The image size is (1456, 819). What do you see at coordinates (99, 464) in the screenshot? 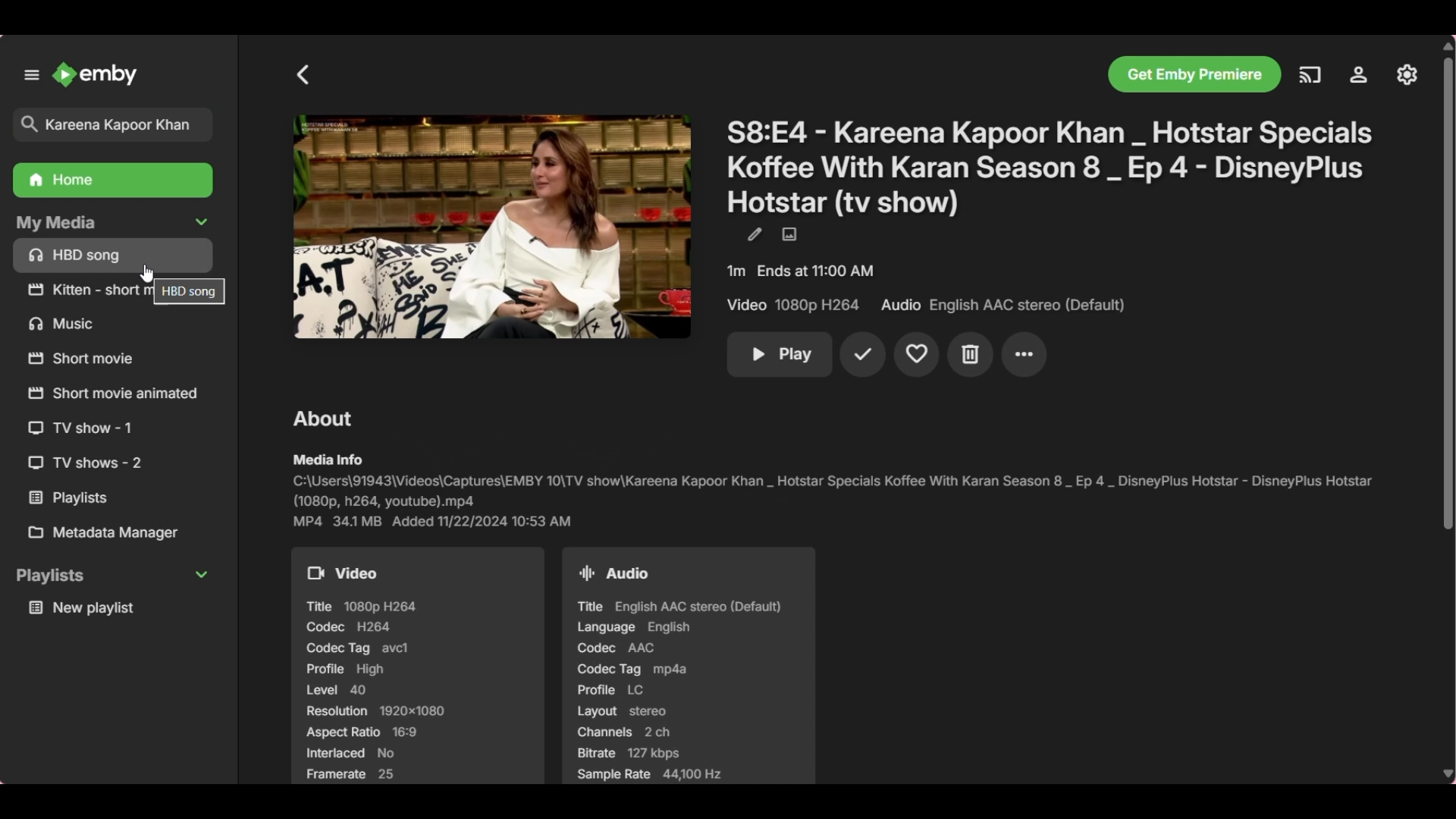
I see `` at bounding box center [99, 464].